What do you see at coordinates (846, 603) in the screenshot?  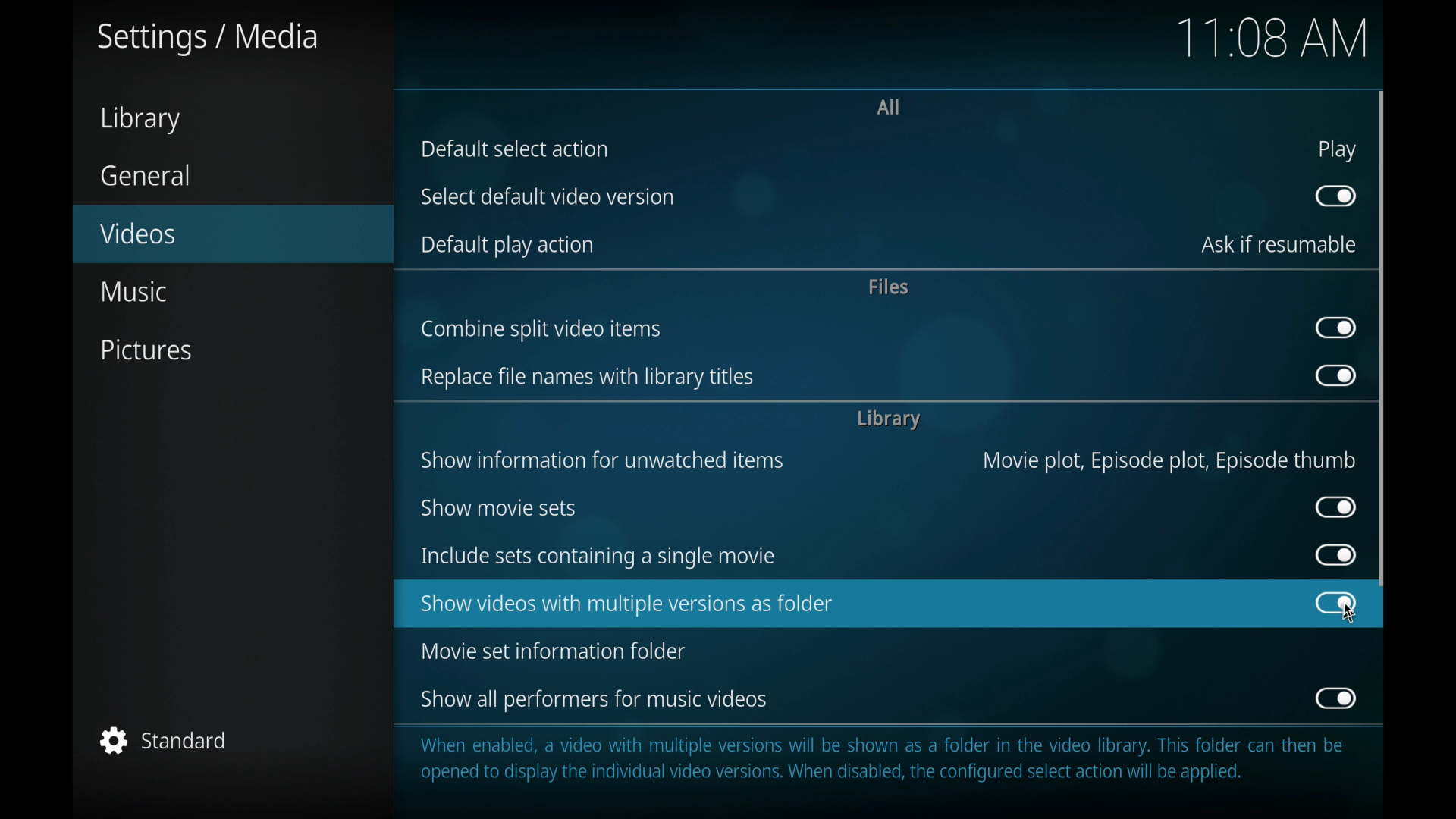 I see `show videos with multiple version as folder` at bounding box center [846, 603].